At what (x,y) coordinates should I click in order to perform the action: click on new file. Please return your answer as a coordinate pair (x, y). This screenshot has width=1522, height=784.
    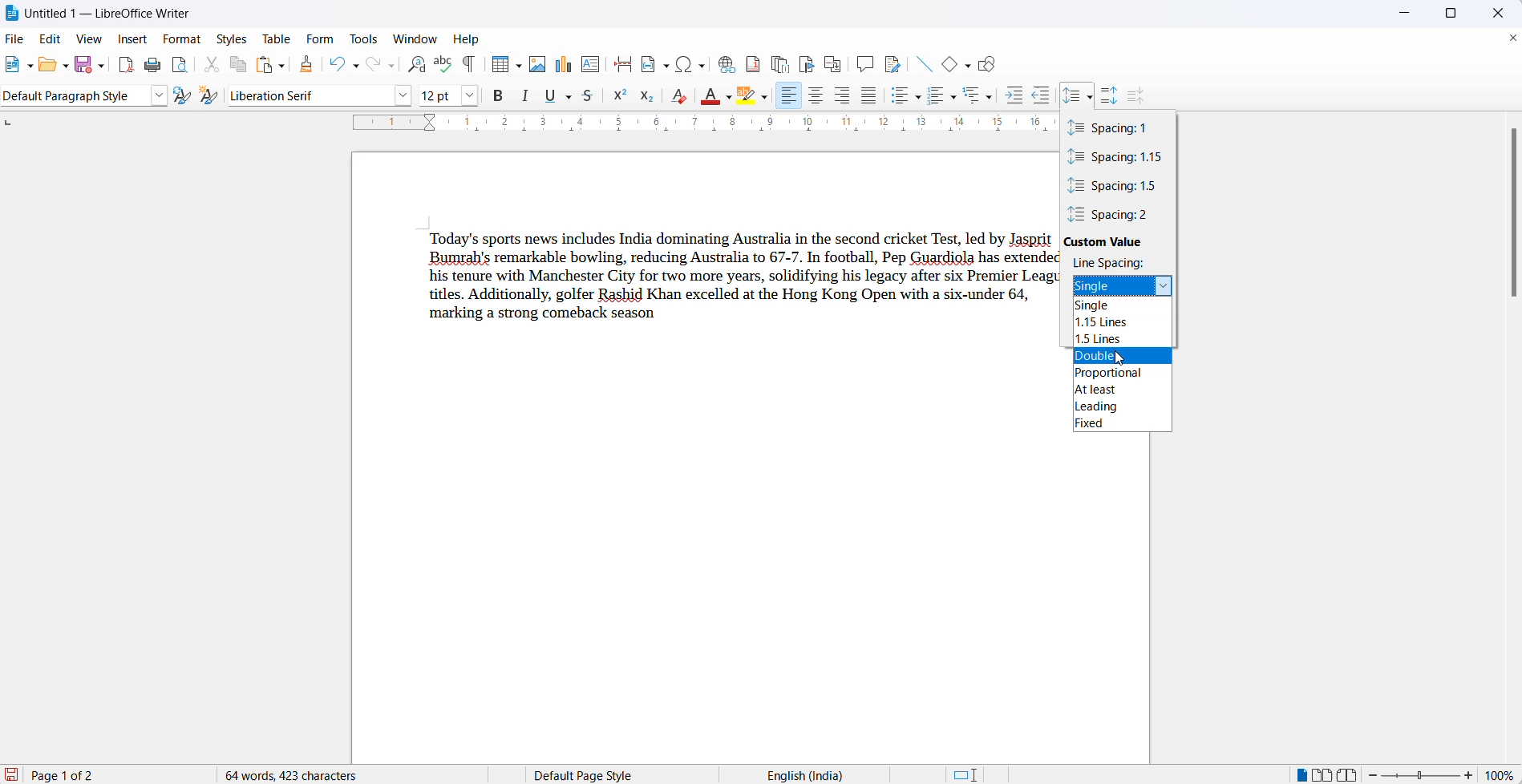
    Looking at the image, I should click on (14, 69).